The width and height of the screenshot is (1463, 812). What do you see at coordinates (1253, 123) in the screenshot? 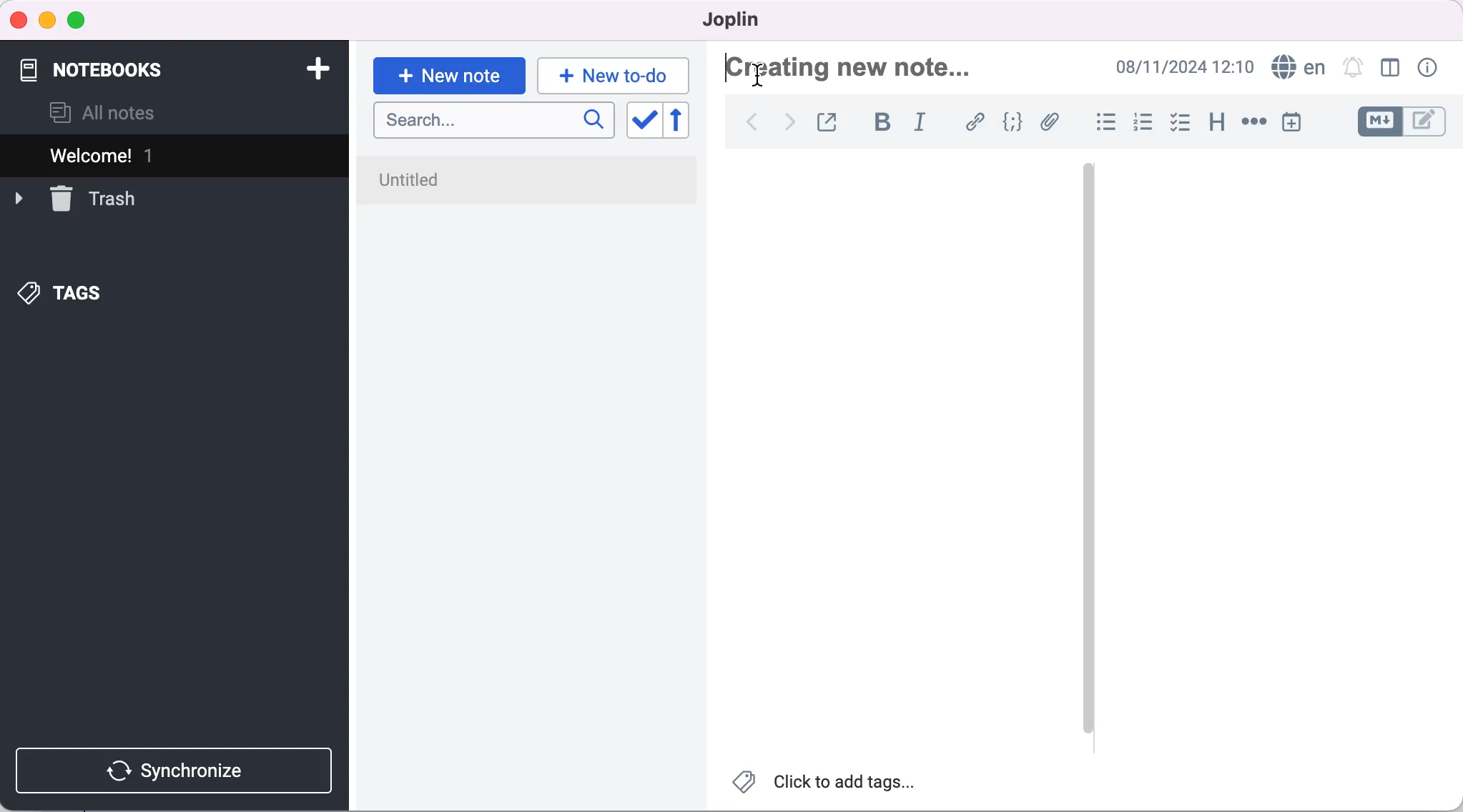
I see `horizontal rule` at bounding box center [1253, 123].